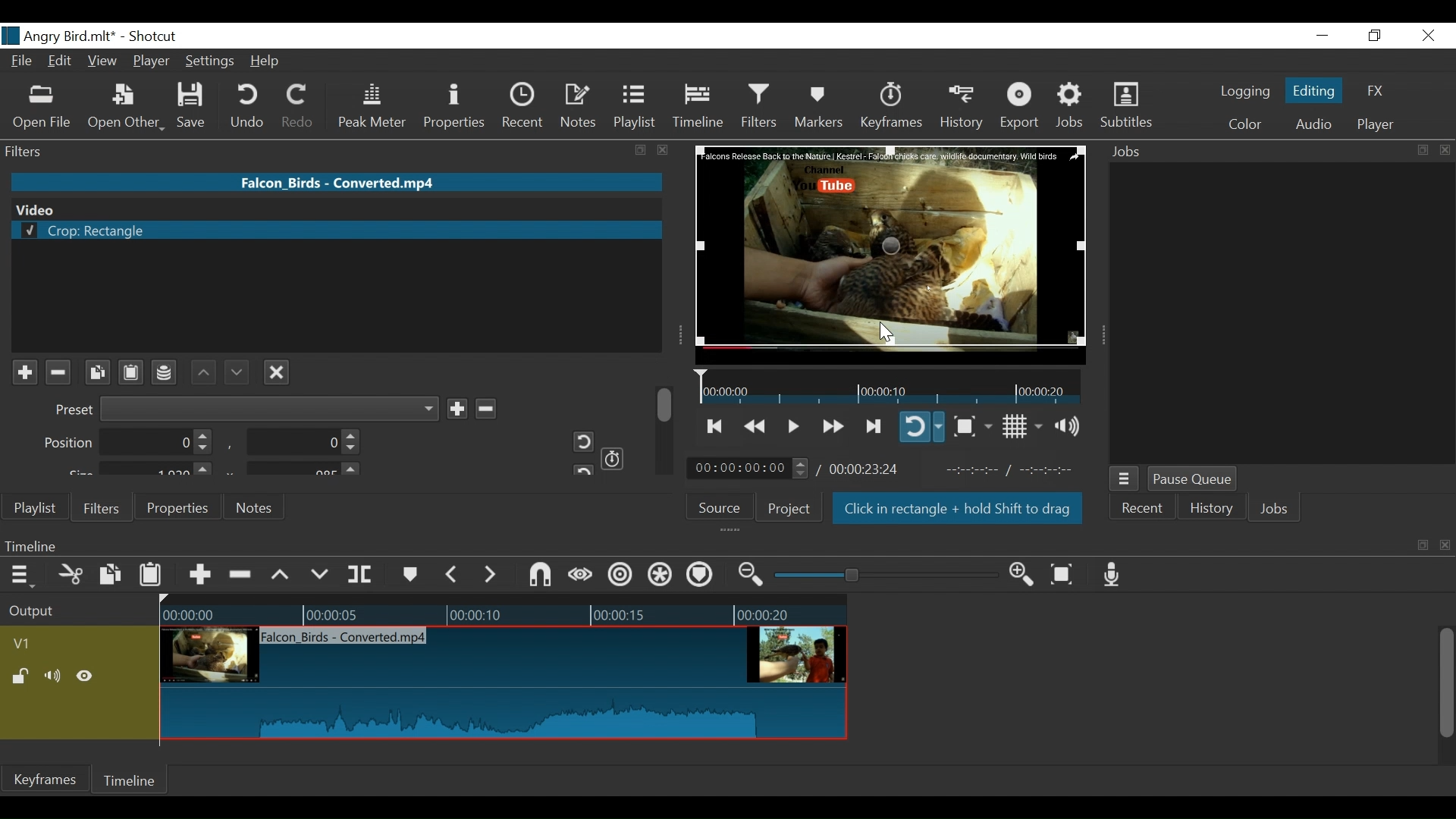 Image resolution: width=1456 pixels, height=819 pixels. What do you see at coordinates (409, 575) in the screenshot?
I see `Markers` at bounding box center [409, 575].